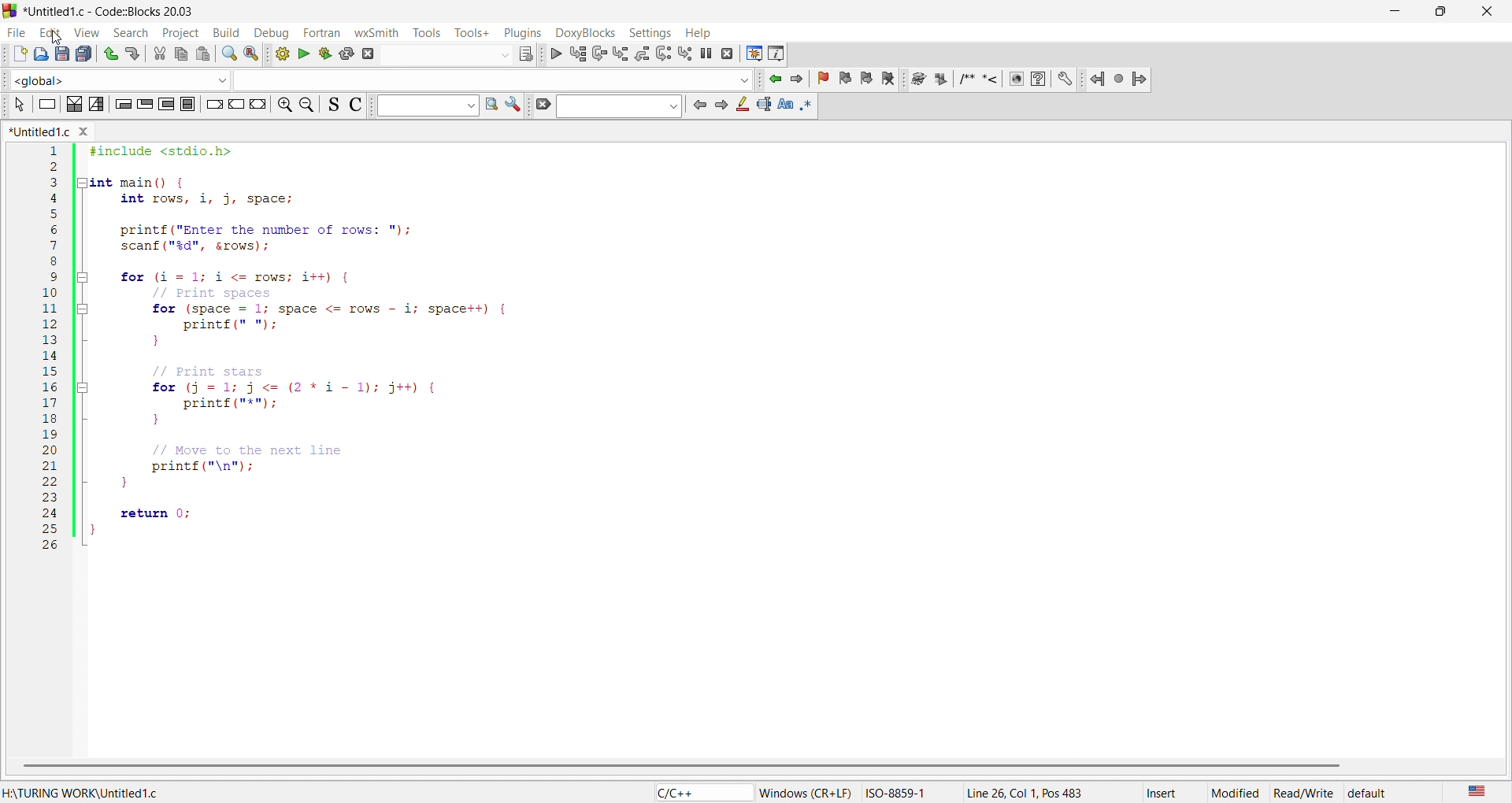 This screenshot has height=803, width=1512. I want to click on close, so click(1489, 9).